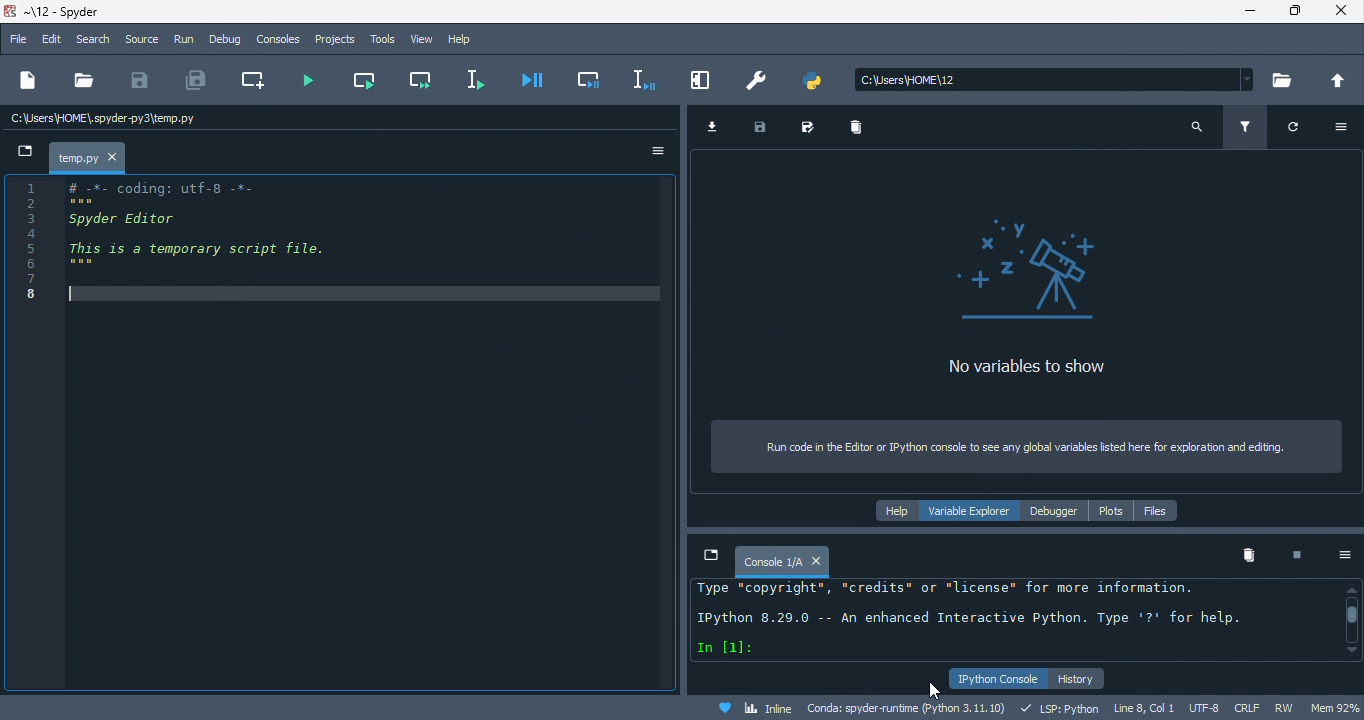 The image size is (1364, 720). Describe the element at coordinates (140, 81) in the screenshot. I see `save` at that location.